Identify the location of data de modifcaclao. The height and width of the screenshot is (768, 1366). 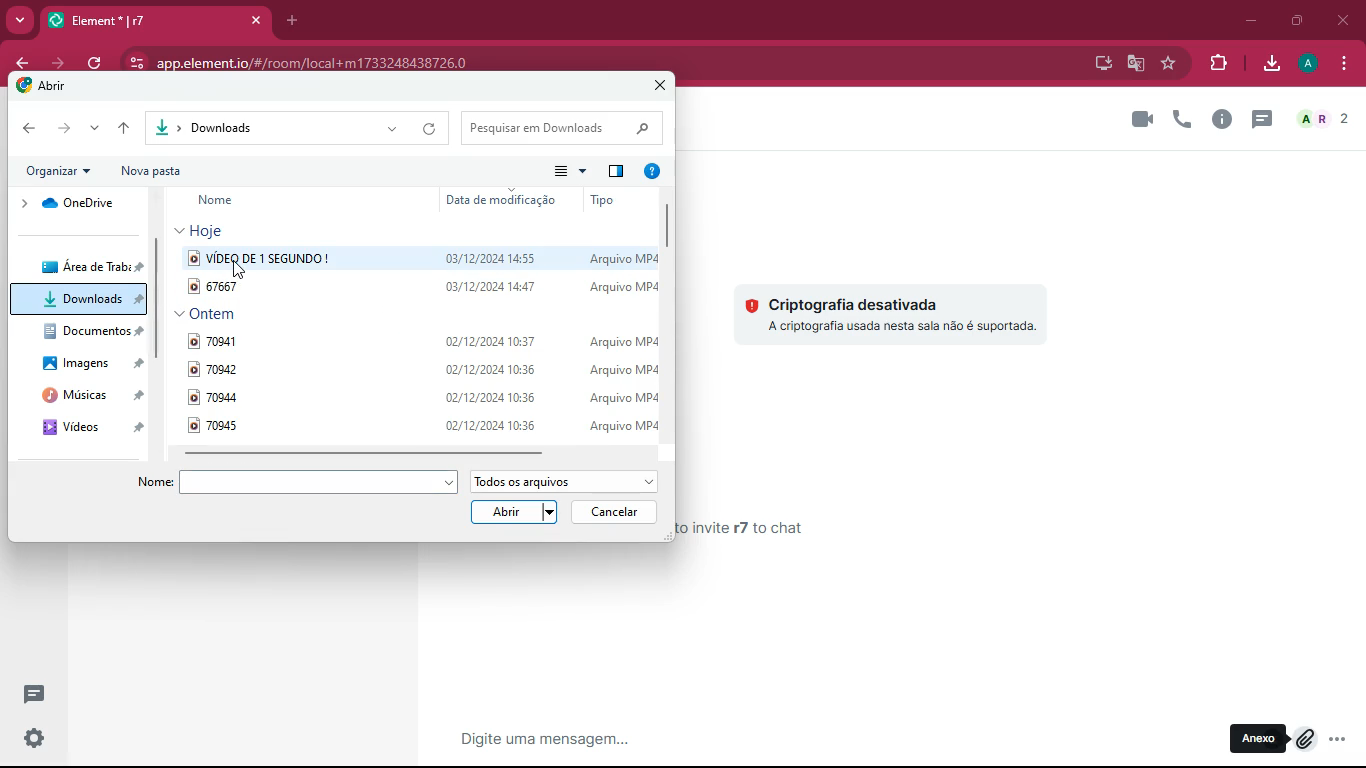
(502, 202).